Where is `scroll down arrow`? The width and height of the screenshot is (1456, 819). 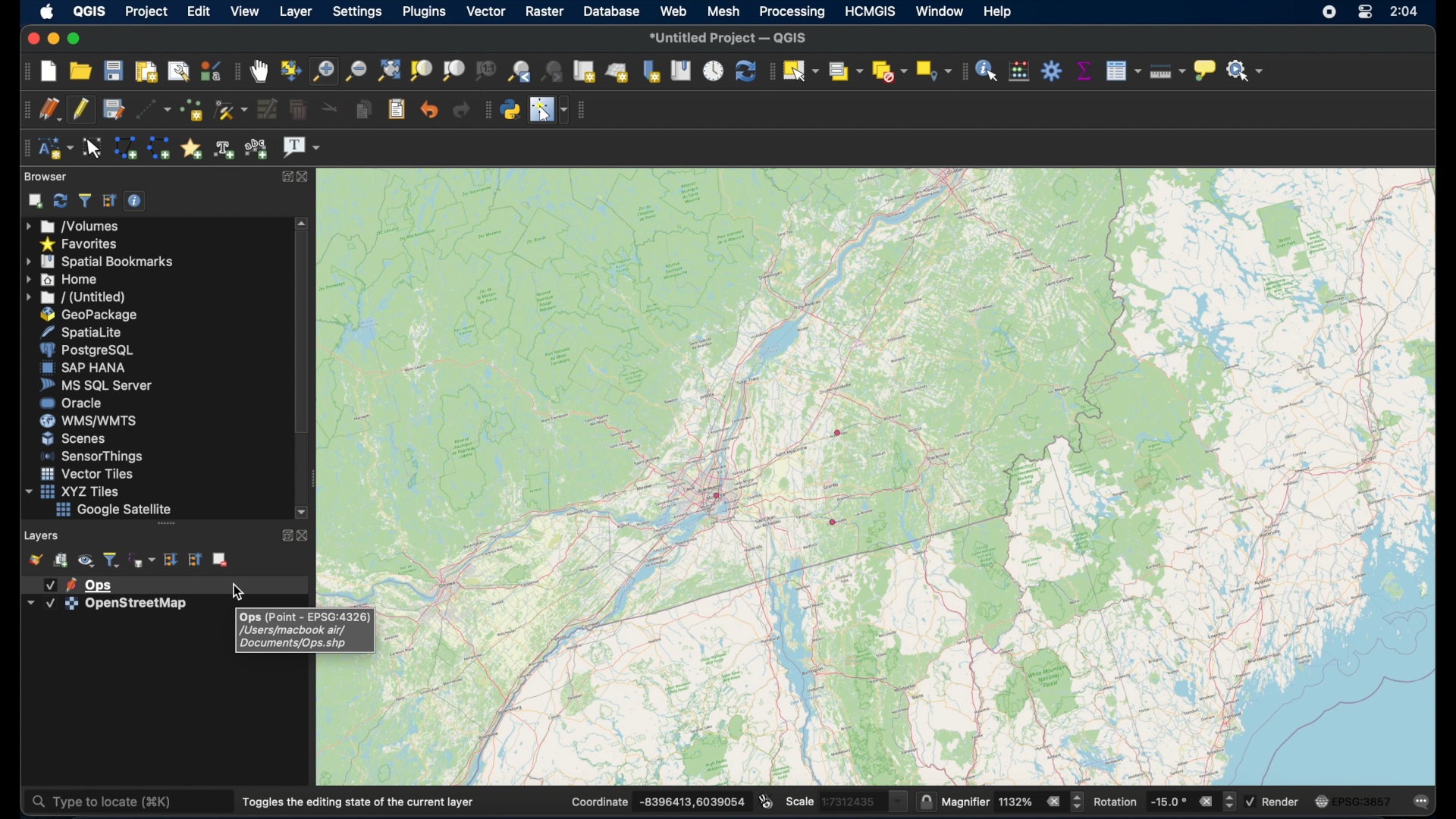
scroll down arrow is located at coordinates (306, 512).